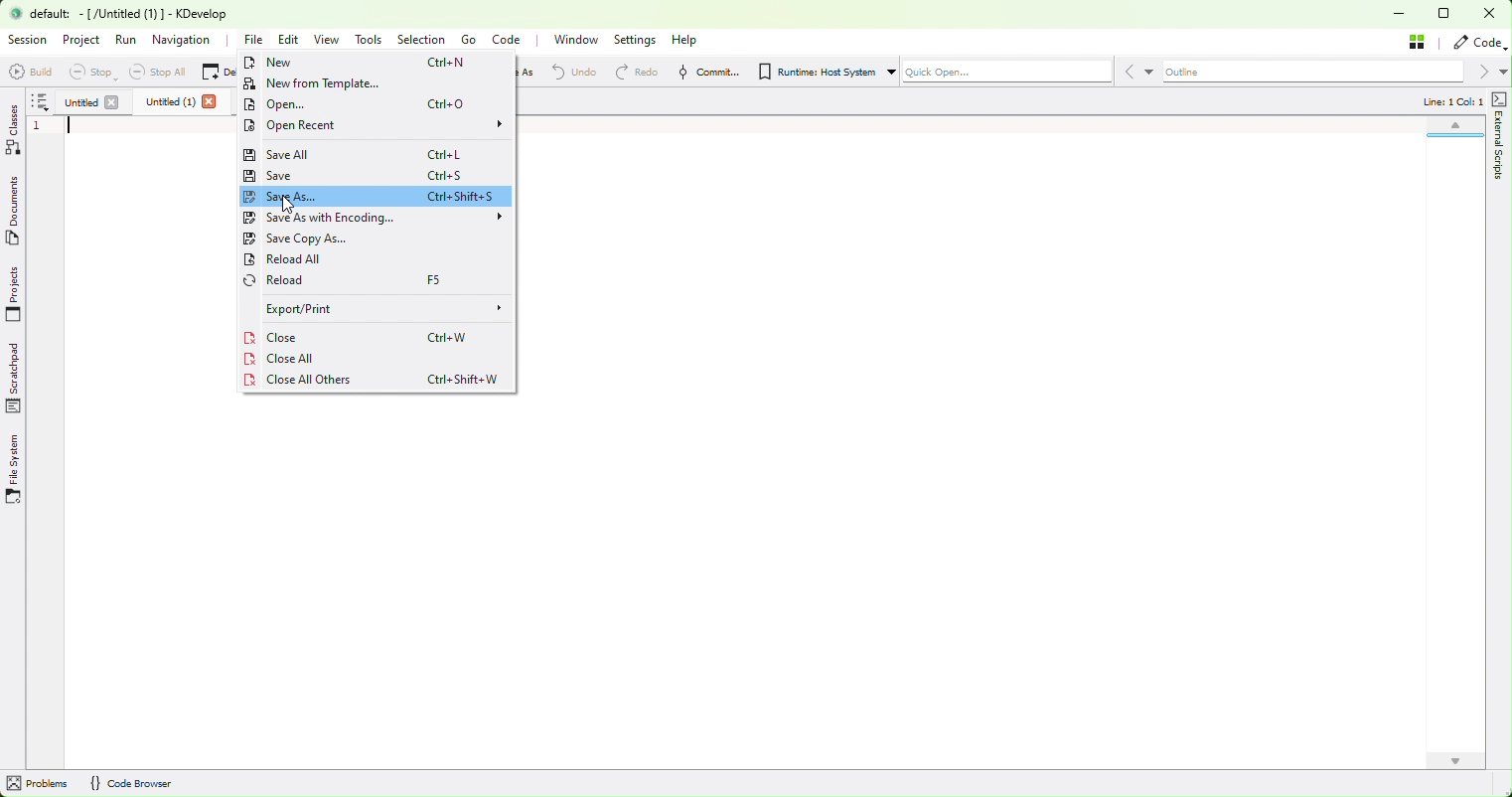 This screenshot has width=1512, height=797. What do you see at coordinates (632, 72) in the screenshot?
I see `Redo` at bounding box center [632, 72].